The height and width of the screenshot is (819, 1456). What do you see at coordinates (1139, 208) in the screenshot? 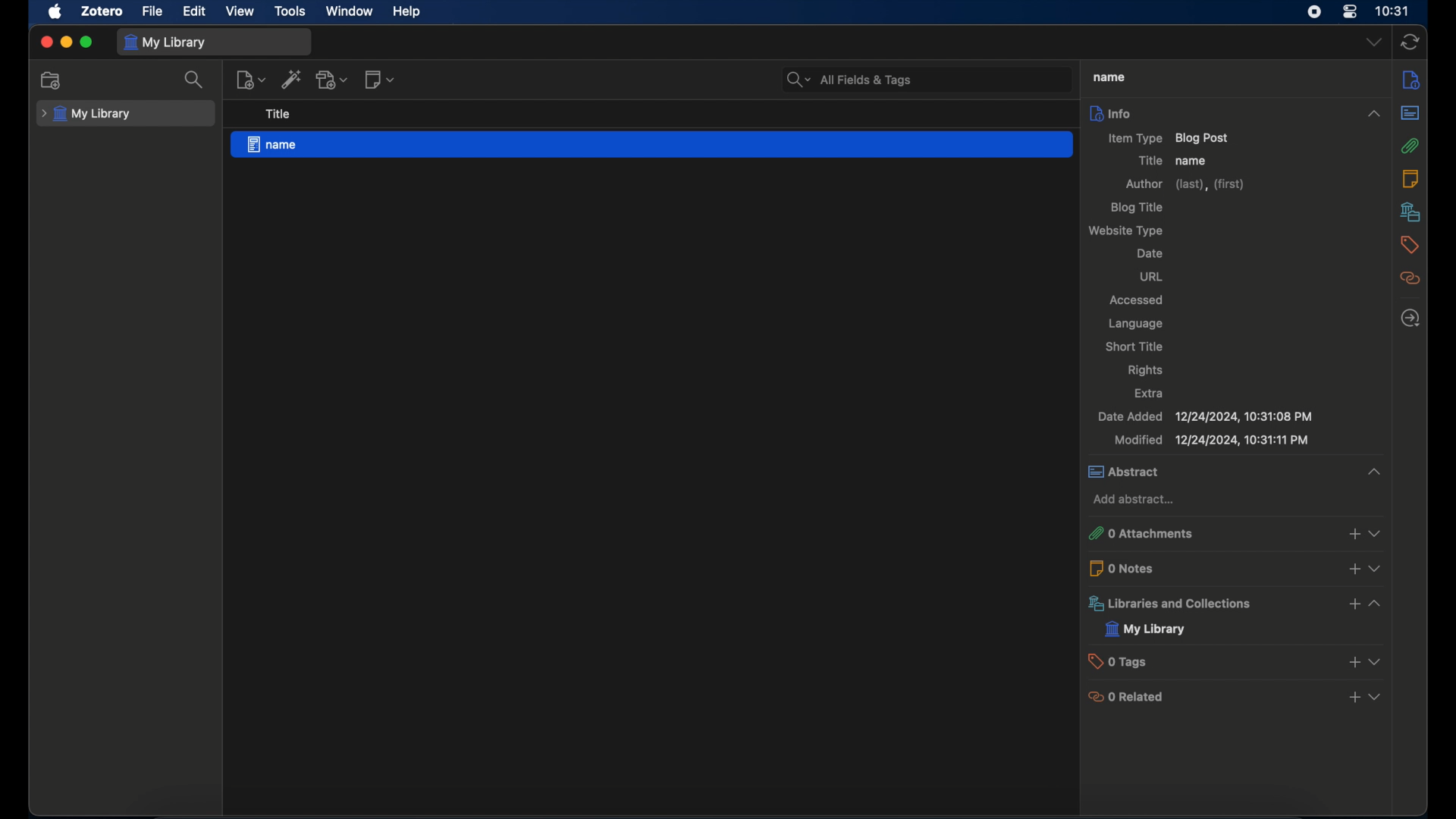
I see `blog title` at bounding box center [1139, 208].